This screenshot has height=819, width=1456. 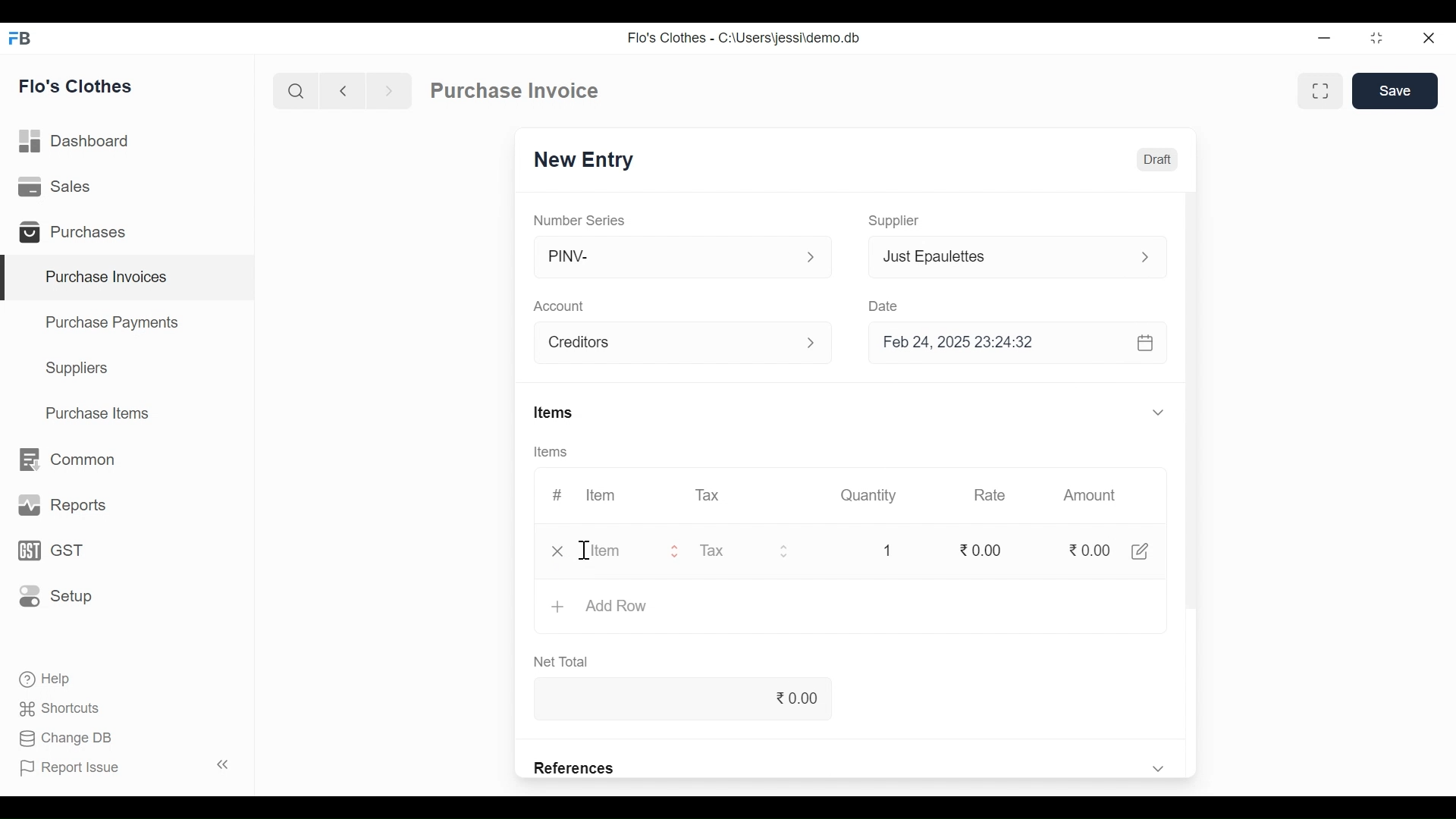 What do you see at coordinates (1326, 39) in the screenshot?
I see `minimize` at bounding box center [1326, 39].